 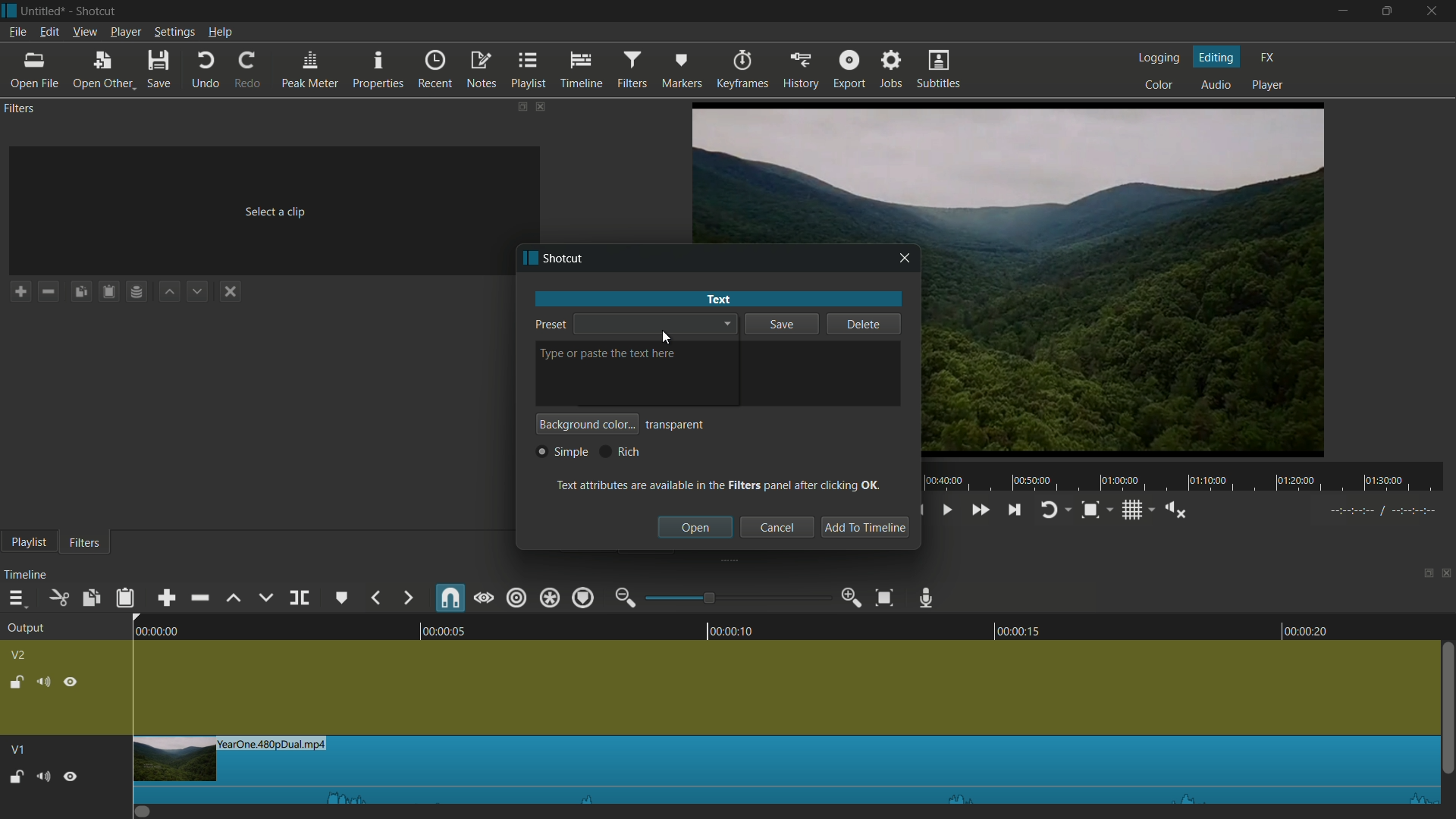 What do you see at coordinates (949, 510) in the screenshot?
I see `toggle play or pause` at bounding box center [949, 510].